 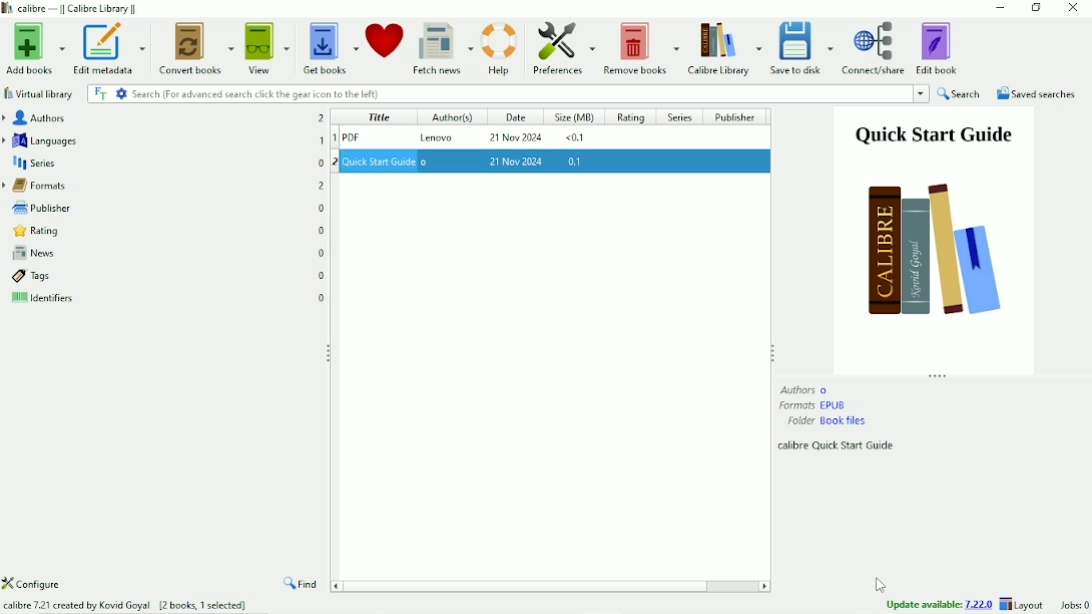 What do you see at coordinates (447, 118) in the screenshot?
I see `Author(s)` at bounding box center [447, 118].